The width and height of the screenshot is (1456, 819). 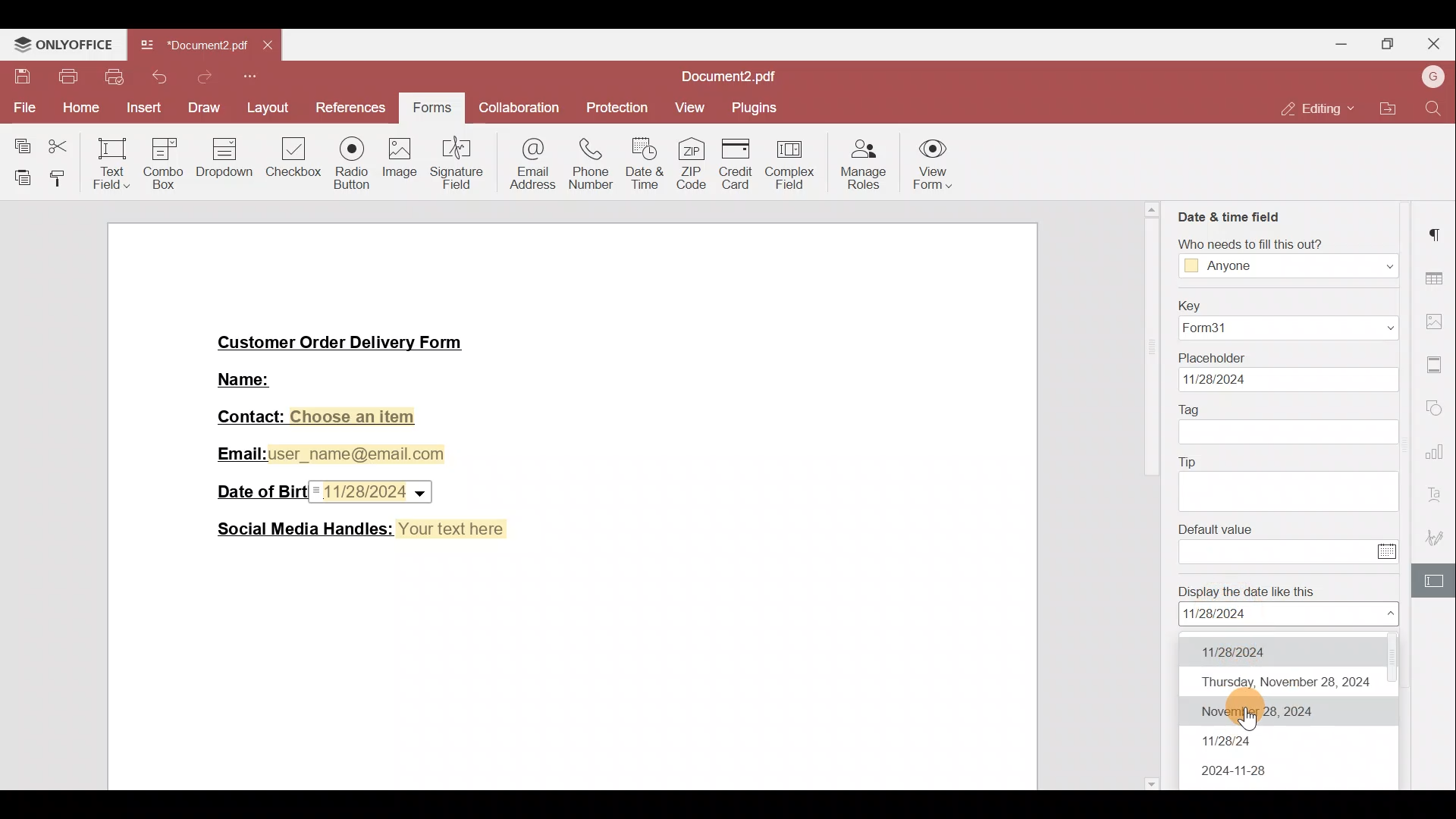 What do you see at coordinates (1438, 324) in the screenshot?
I see `Image settings` at bounding box center [1438, 324].